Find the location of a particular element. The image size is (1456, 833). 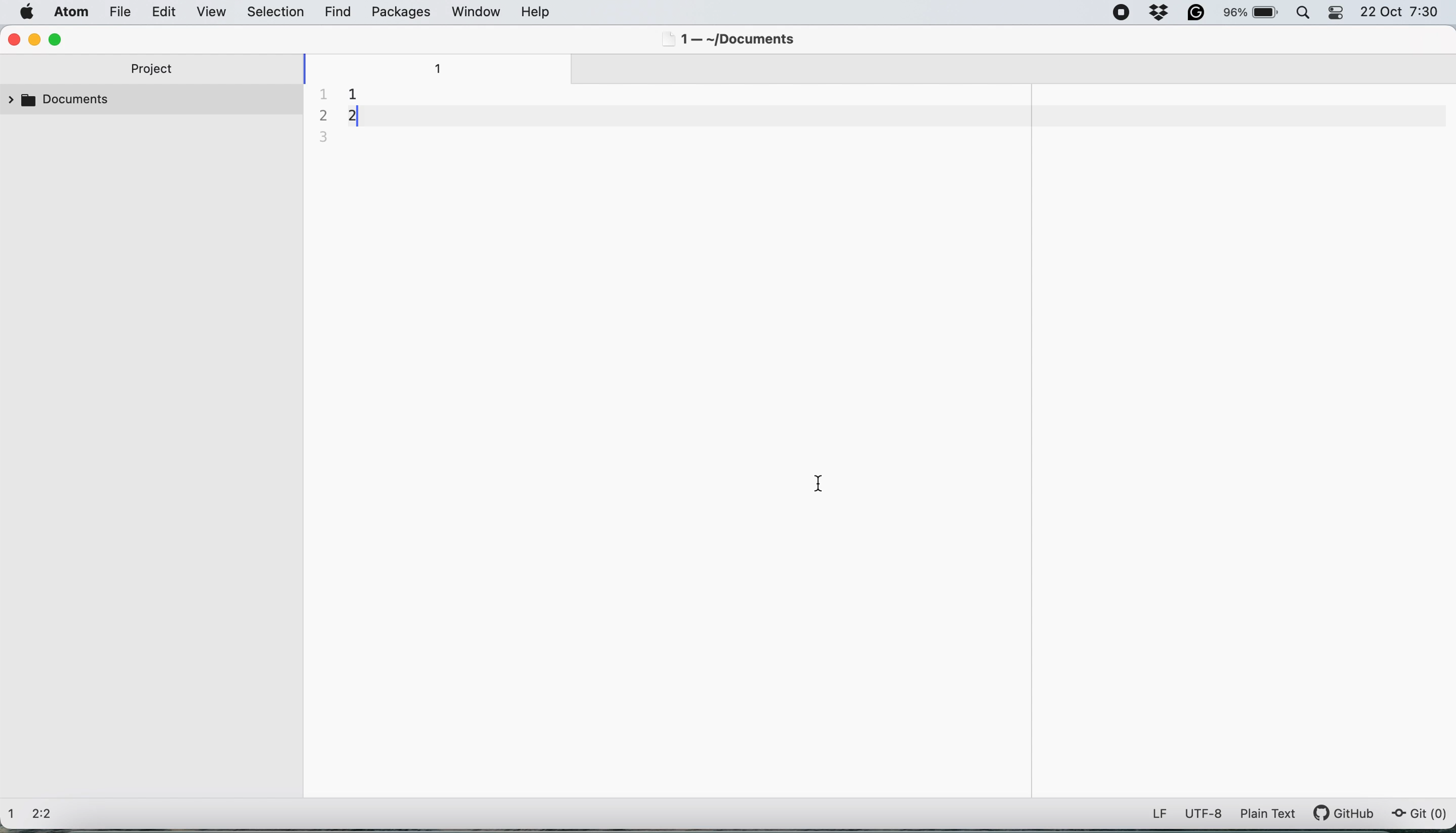

cursor is located at coordinates (821, 483).